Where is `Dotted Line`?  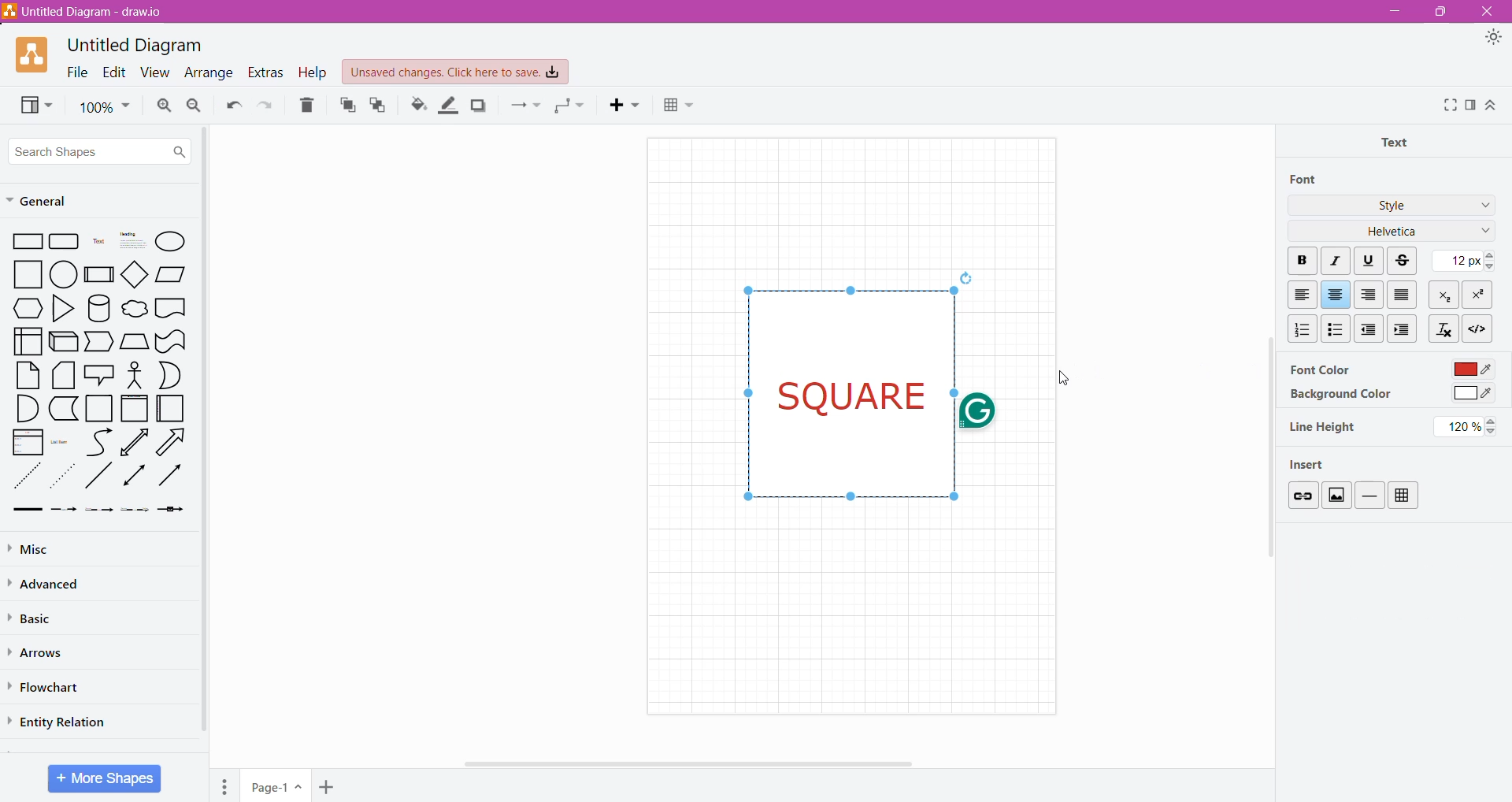 Dotted Line is located at coordinates (25, 477).